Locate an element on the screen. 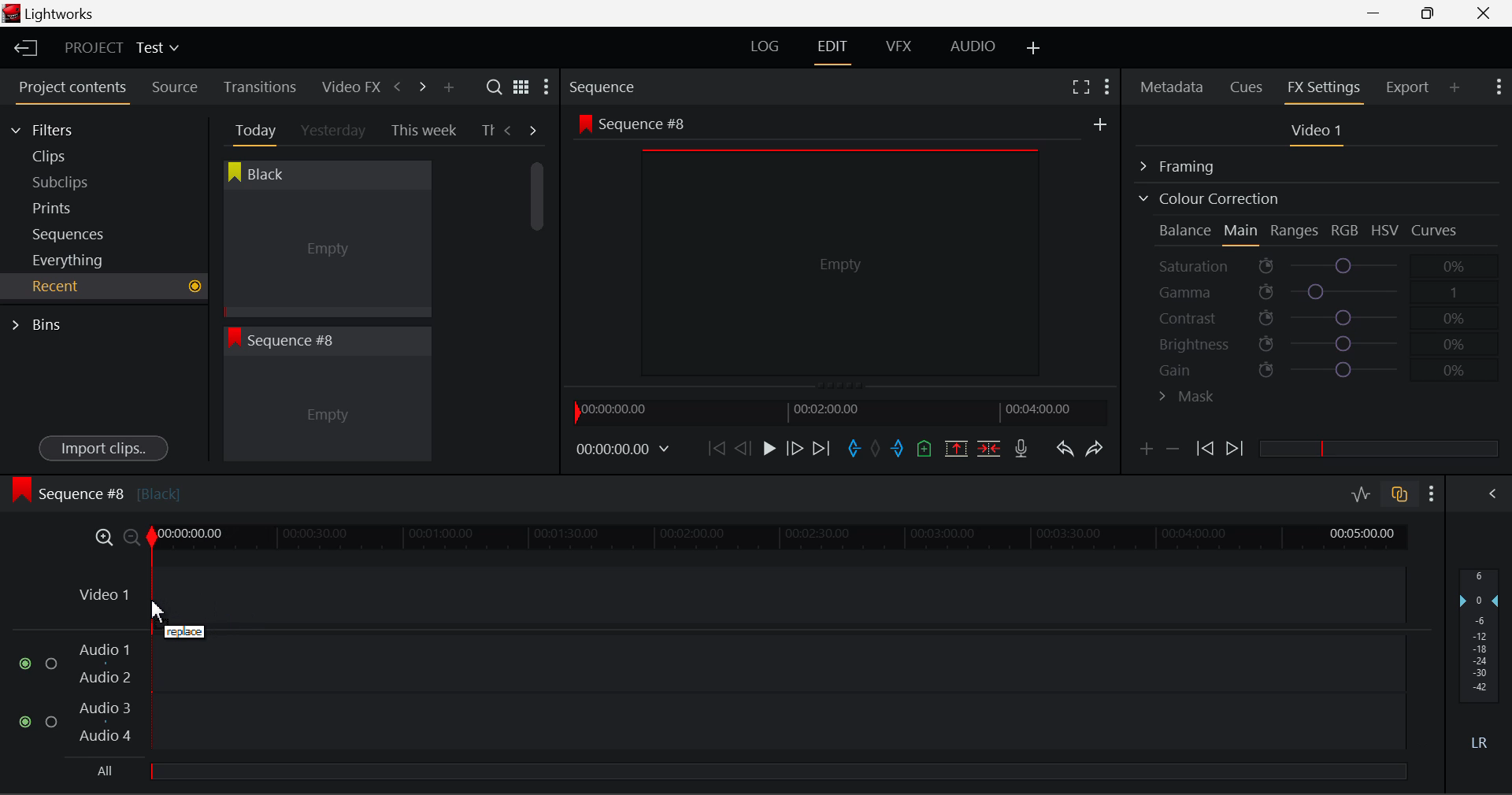 Image resolution: width=1512 pixels, height=795 pixels. Import clips is located at coordinates (103, 449).